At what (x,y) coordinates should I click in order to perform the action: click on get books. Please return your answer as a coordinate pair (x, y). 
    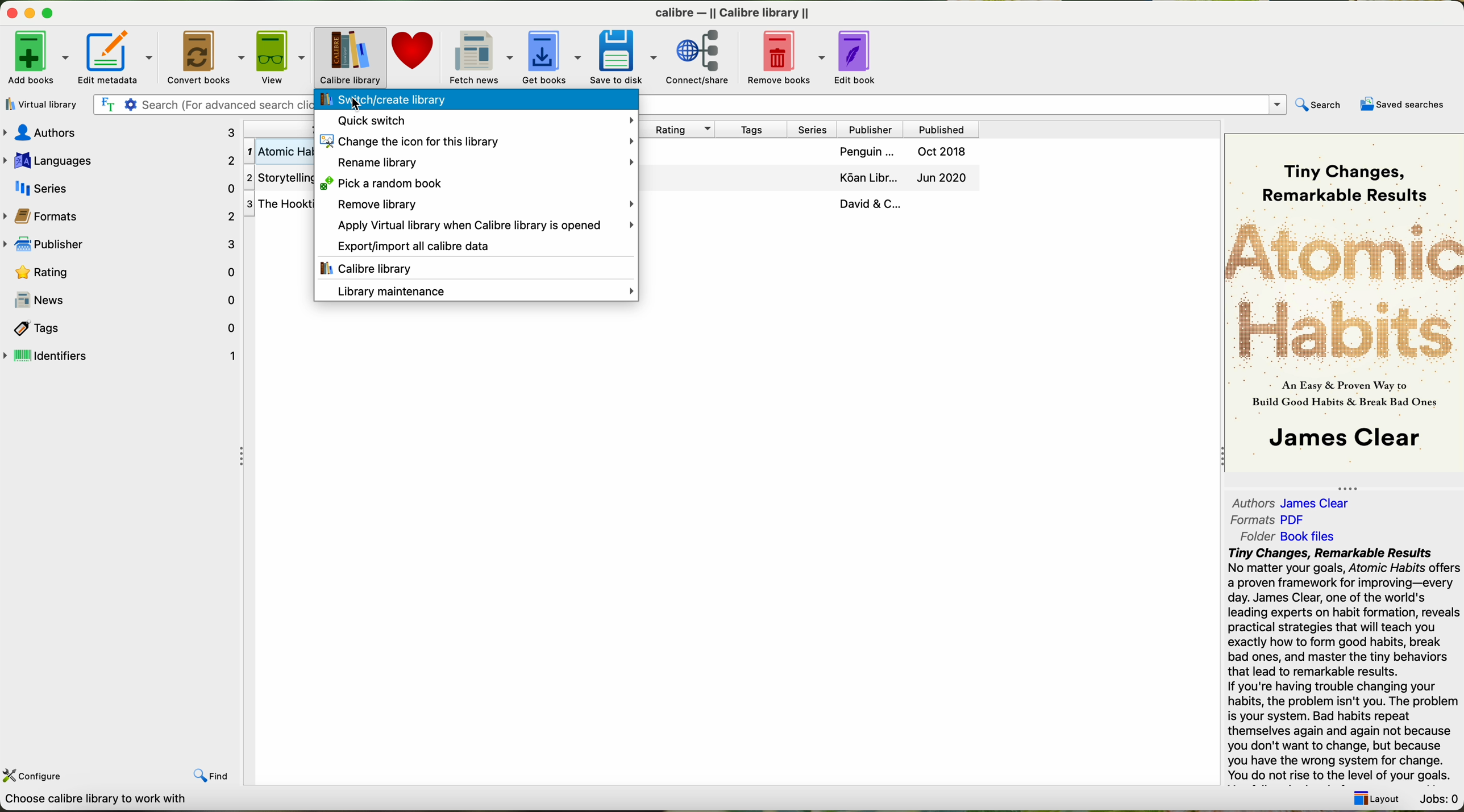
    Looking at the image, I should click on (551, 56).